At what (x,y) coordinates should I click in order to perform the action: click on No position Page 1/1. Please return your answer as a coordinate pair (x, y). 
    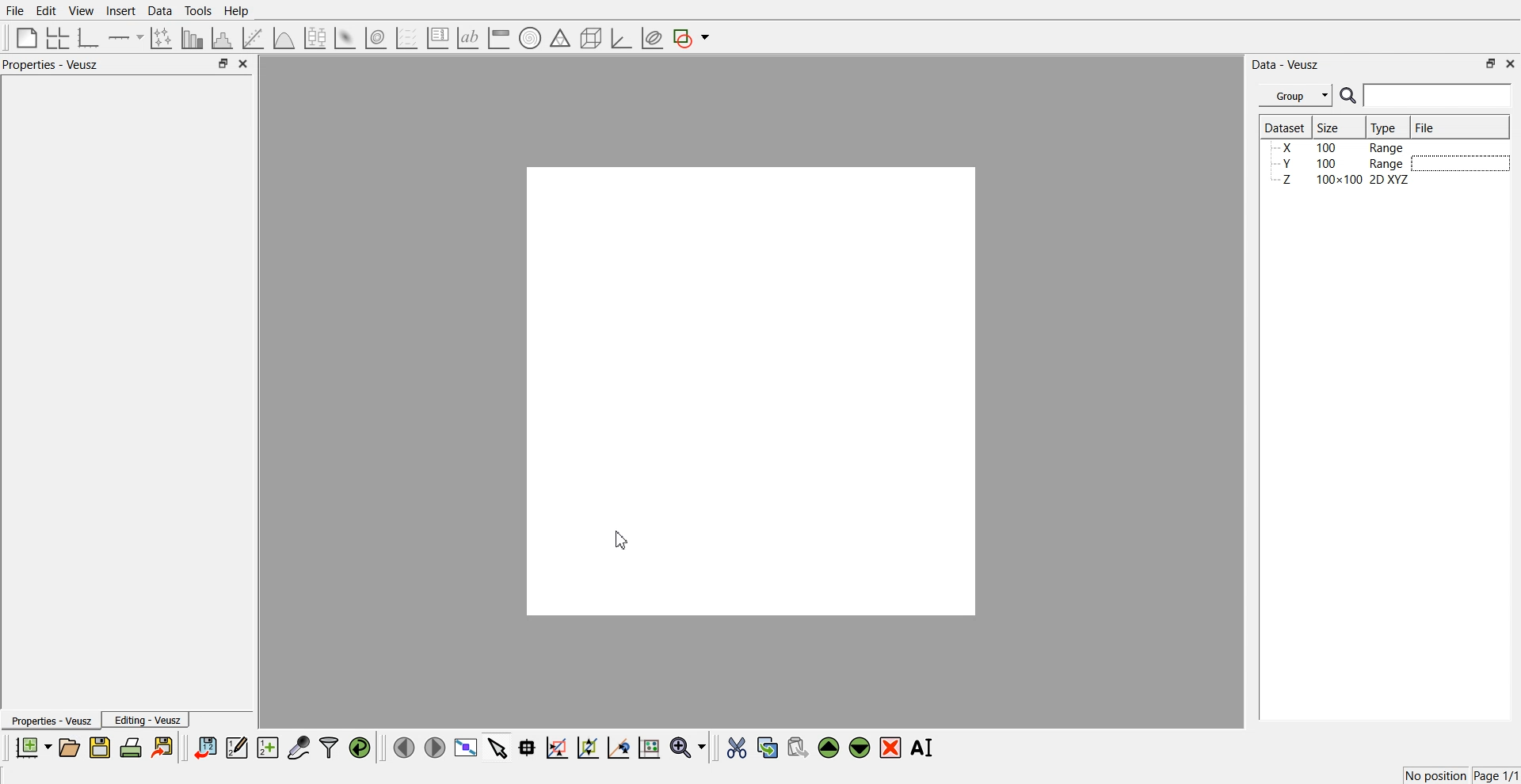
    Looking at the image, I should click on (1461, 775).